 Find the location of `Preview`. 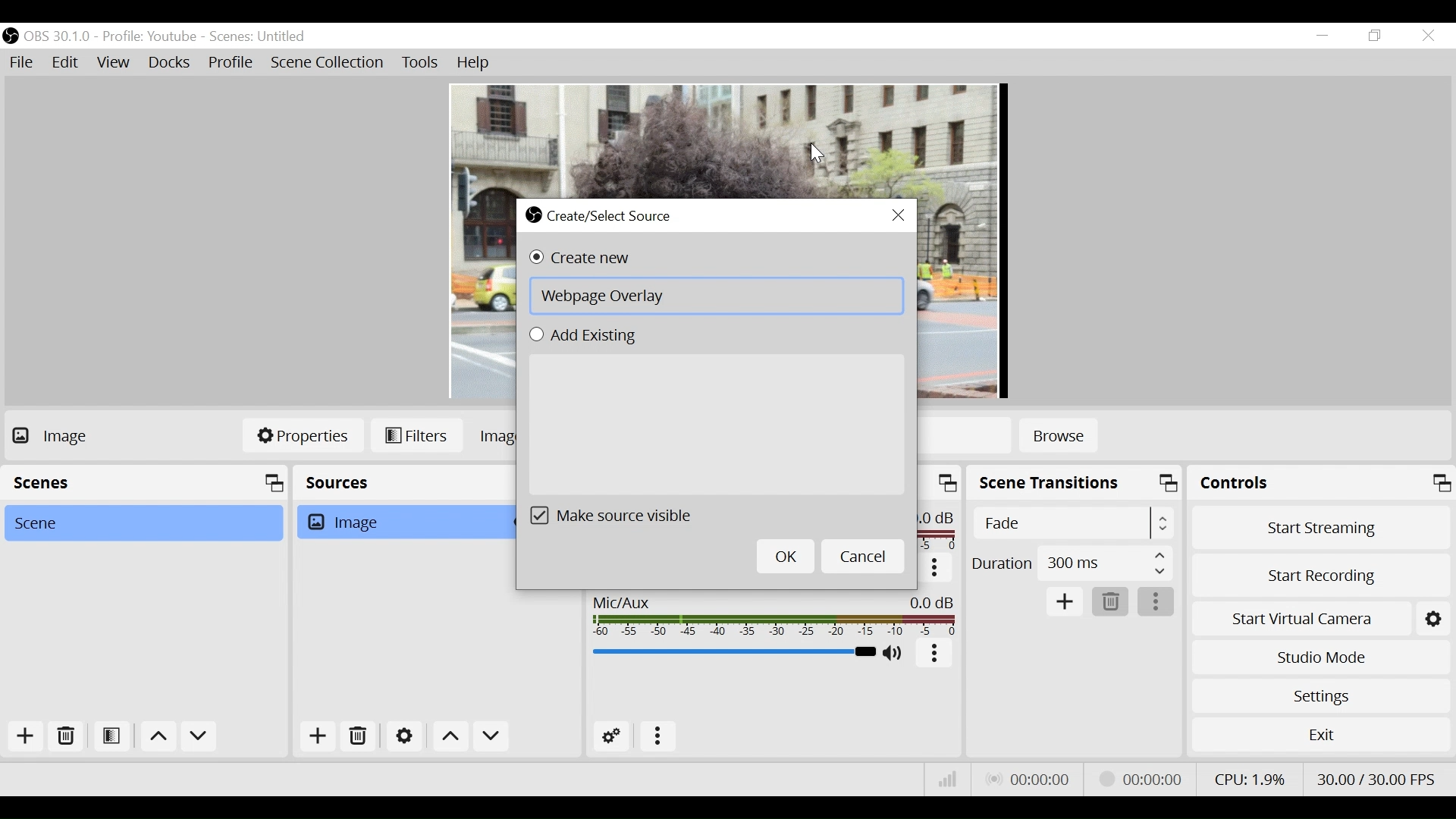

Preview is located at coordinates (726, 132).